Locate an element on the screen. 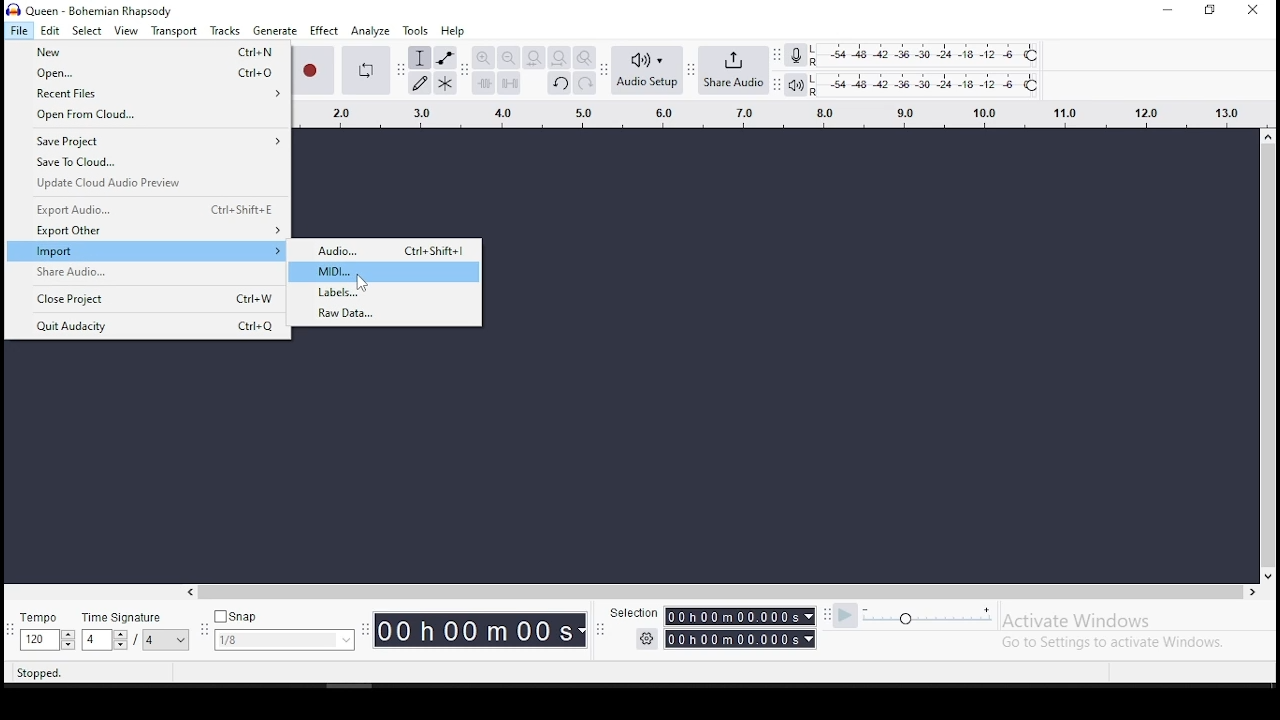  zoom in is located at coordinates (485, 58).